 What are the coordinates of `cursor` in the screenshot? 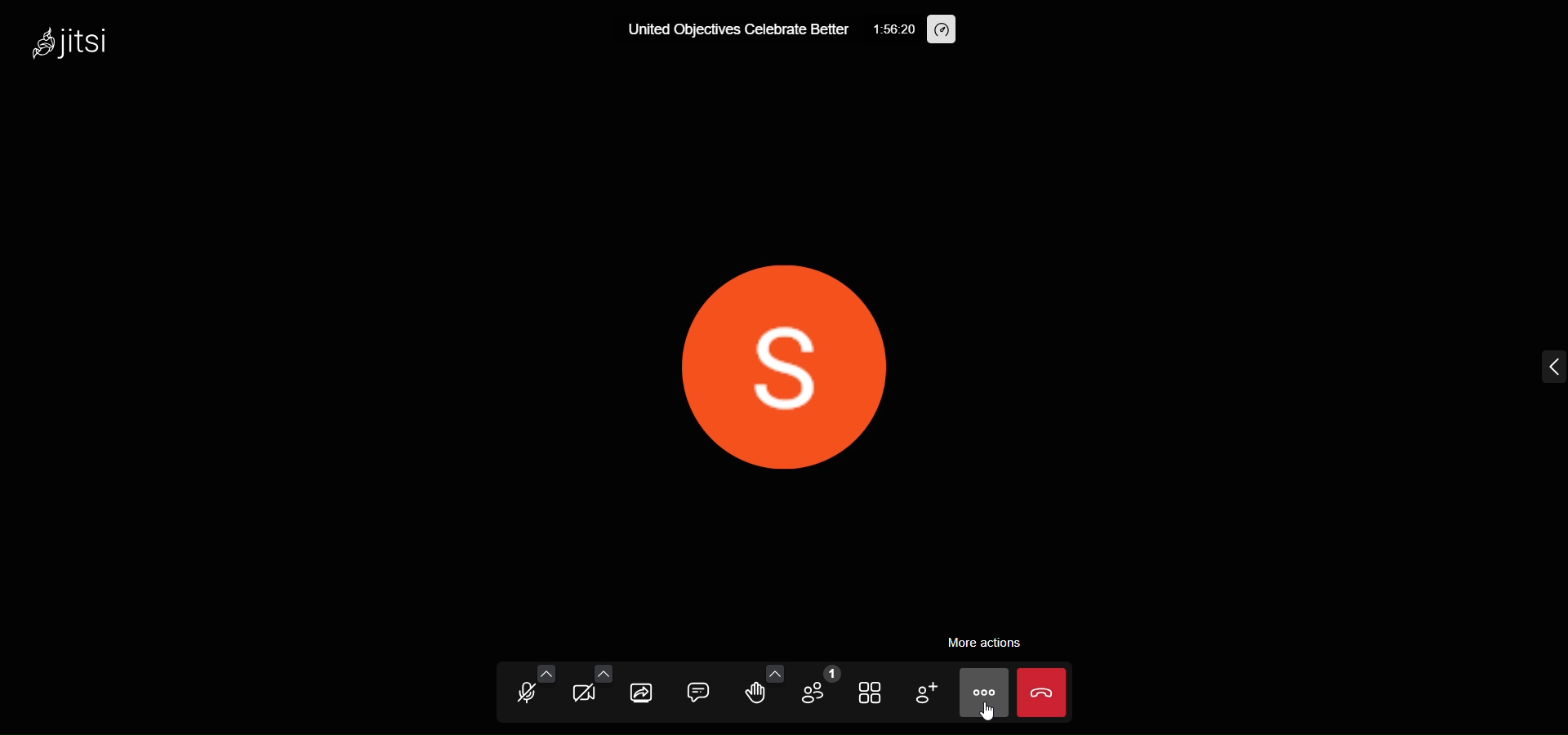 It's located at (994, 716).